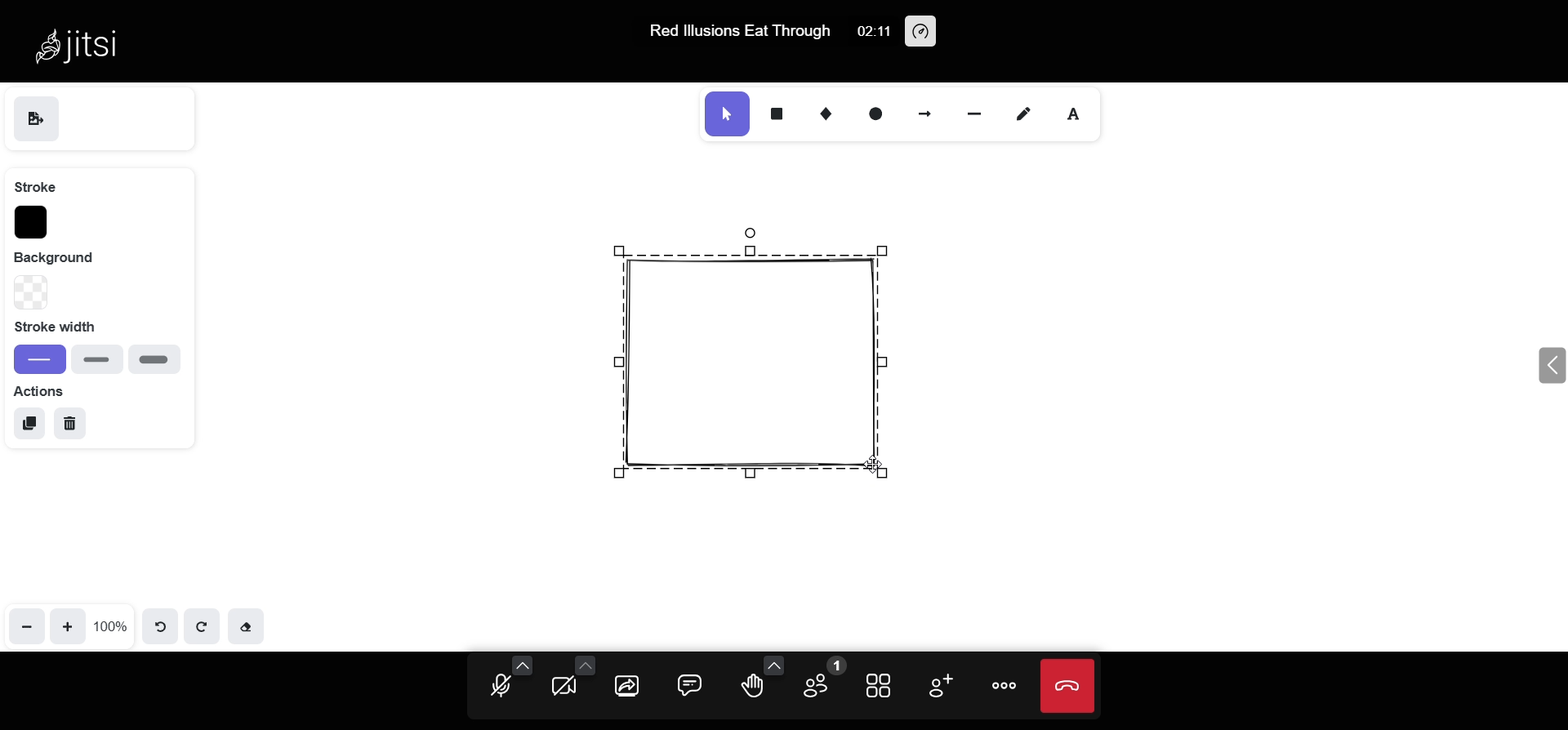 This screenshot has width=1568, height=730. What do you see at coordinates (922, 109) in the screenshot?
I see `arrow` at bounding box center [922, 109].